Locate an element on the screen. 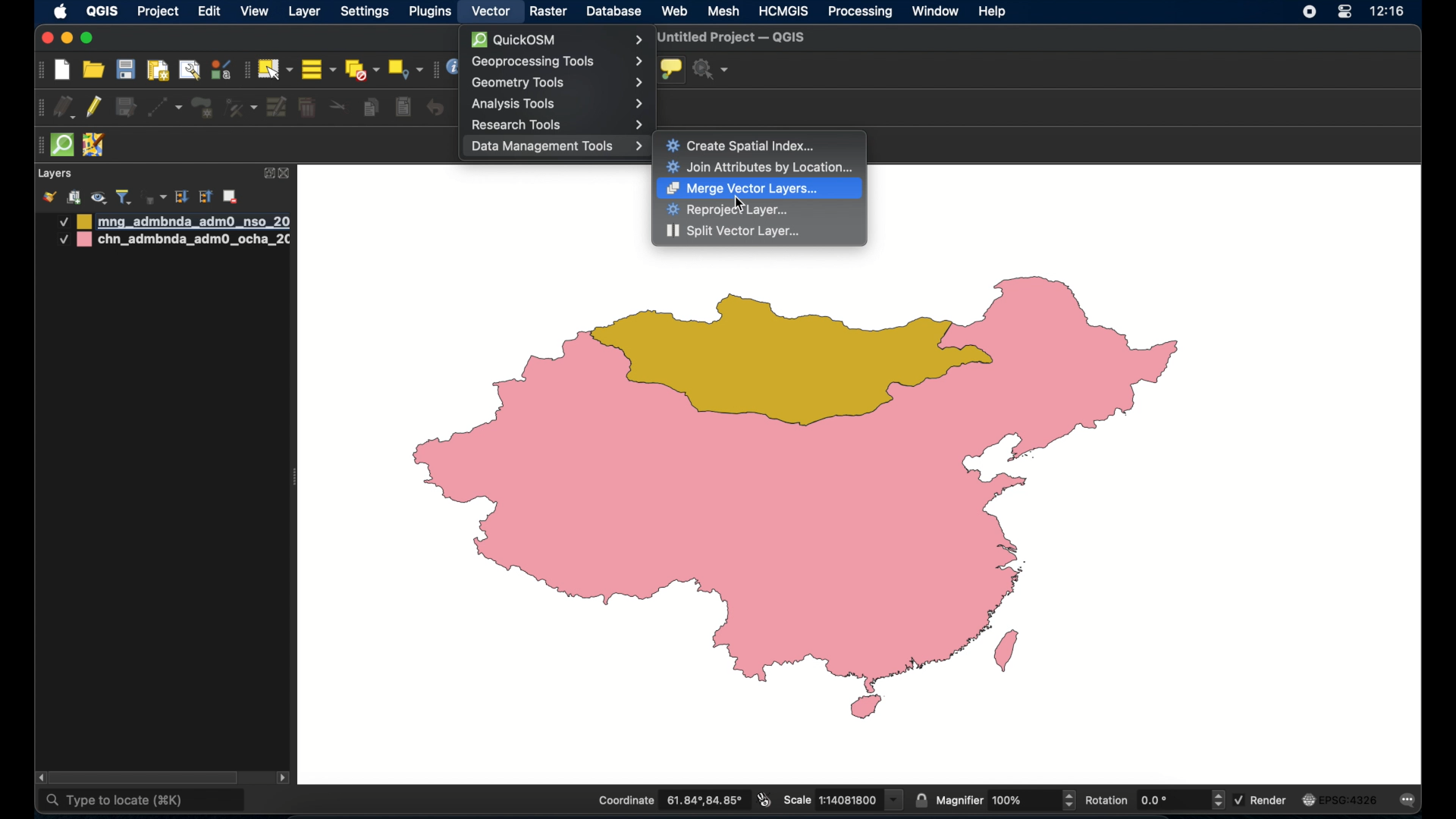 The image size is (1456, 819). geometry tools is located at coordinates (557, 82).